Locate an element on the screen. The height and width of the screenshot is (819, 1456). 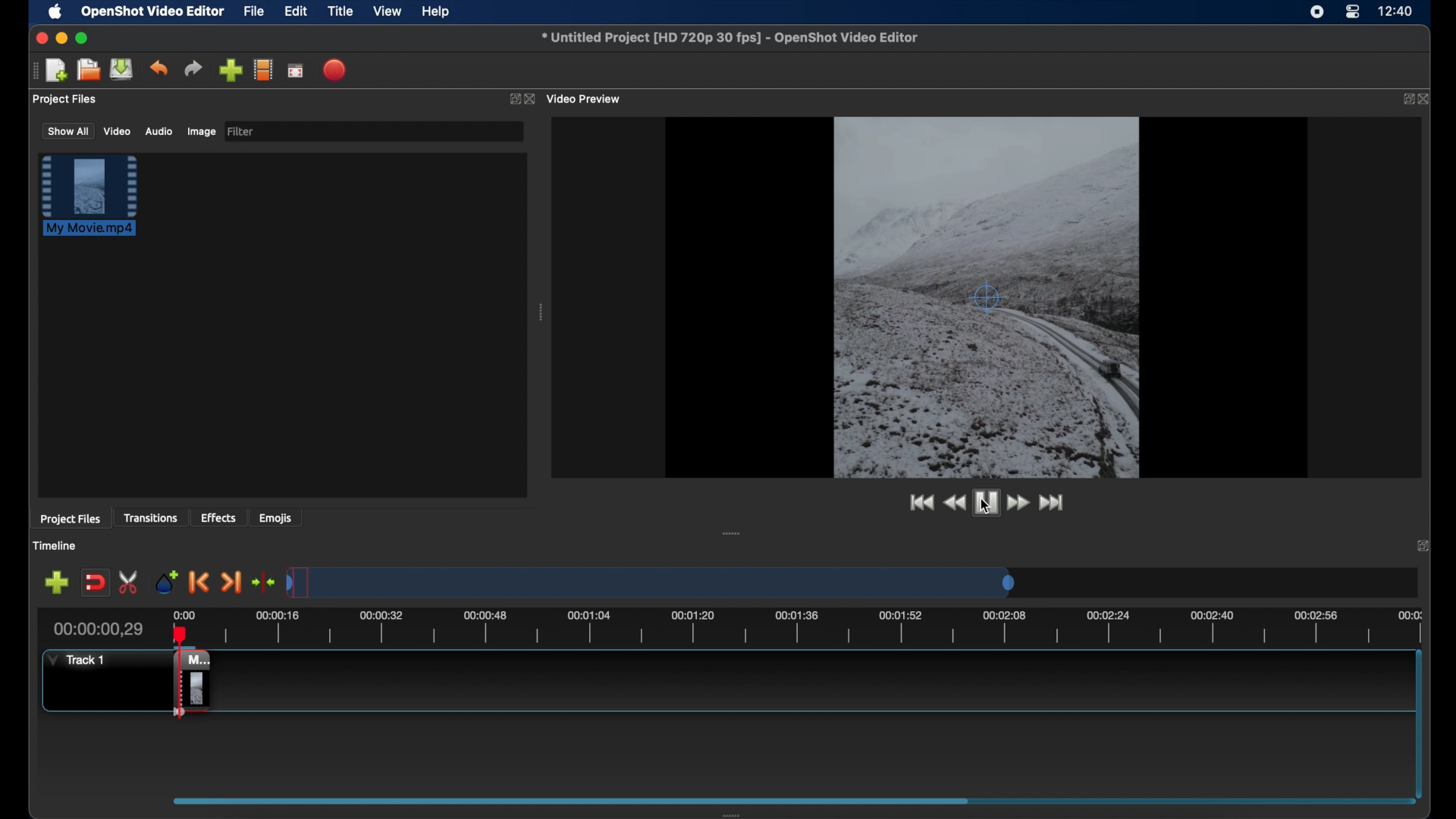
audio is located at coordinates (158, 132).